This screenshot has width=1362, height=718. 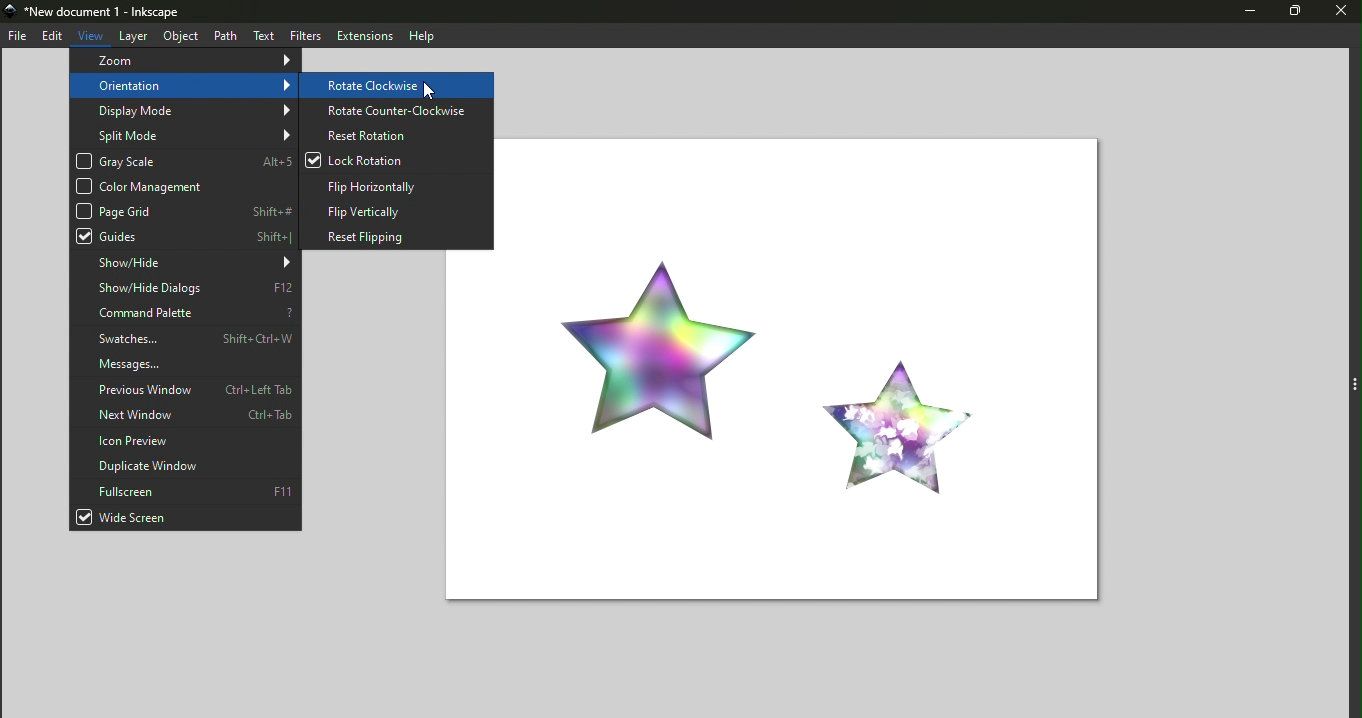 I want to click on Show/Hide, so click(x=184, y=263).